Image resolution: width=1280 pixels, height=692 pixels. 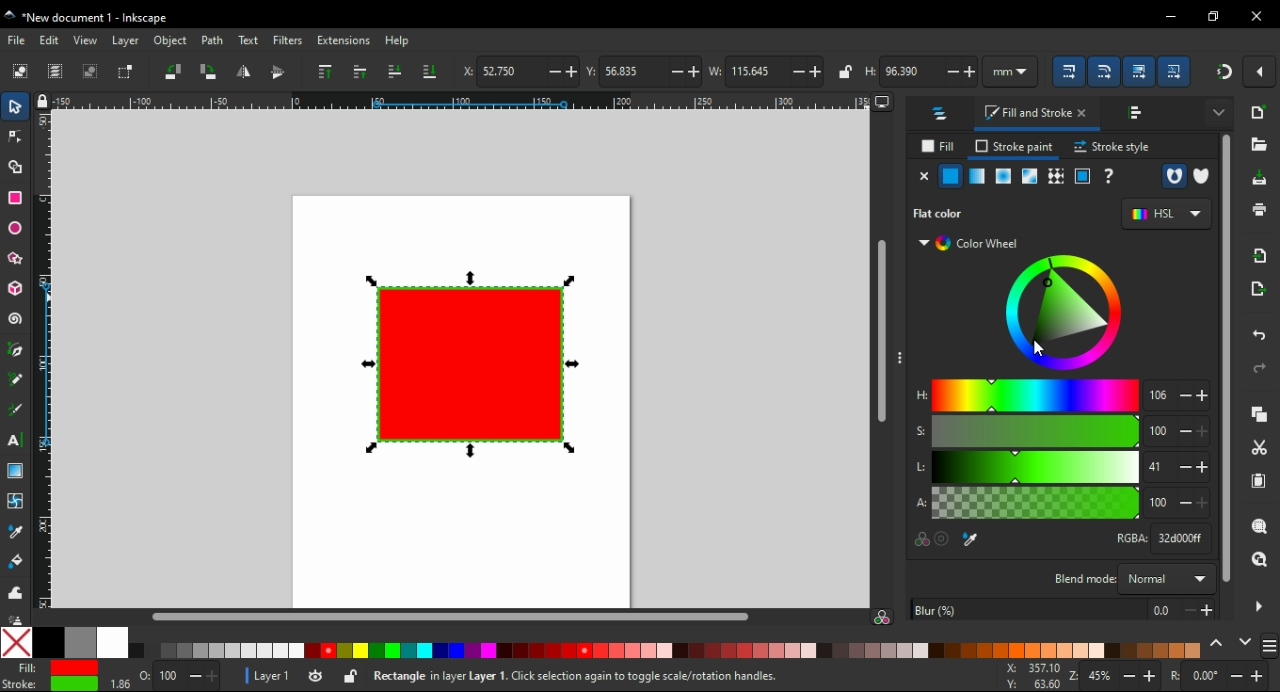 What do you see at coordinates (714, 71) in the screenshot?
I see `weight of selection` at bounding box center [714, 71].